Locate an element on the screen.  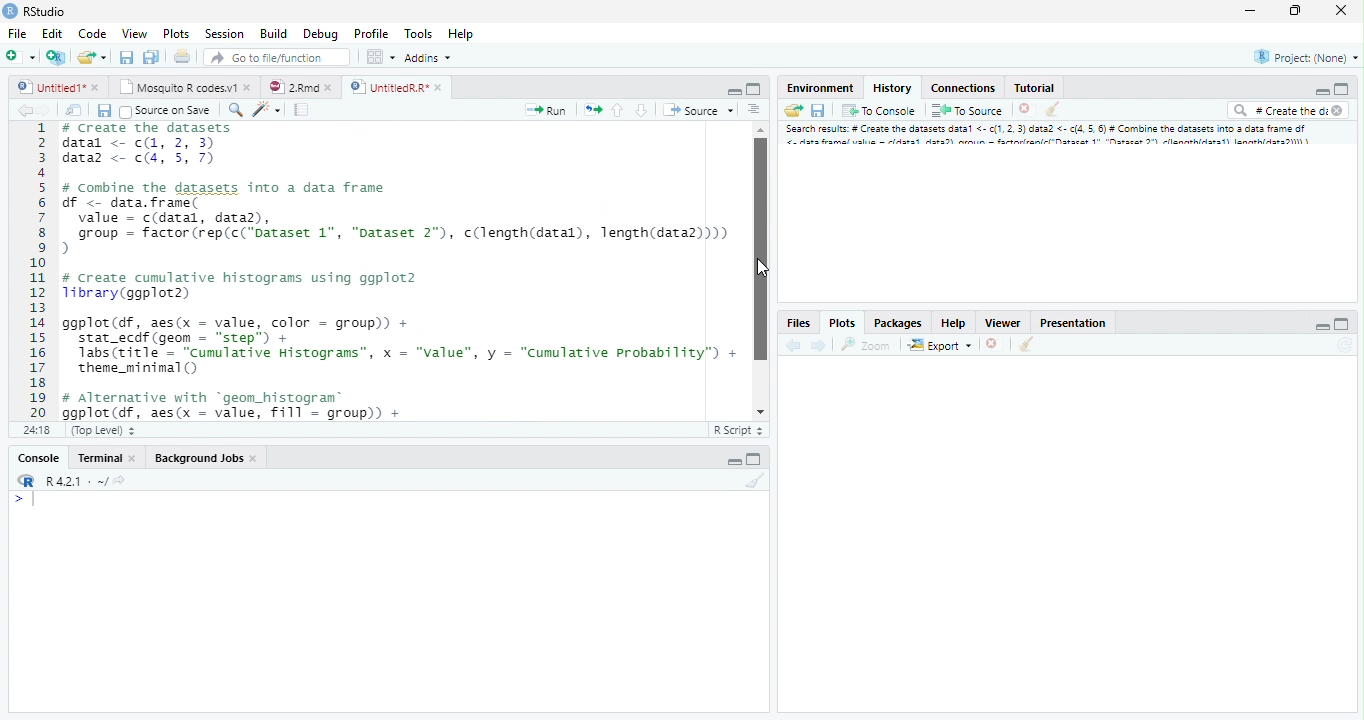
Zoom is located at coordinates (864, 346).